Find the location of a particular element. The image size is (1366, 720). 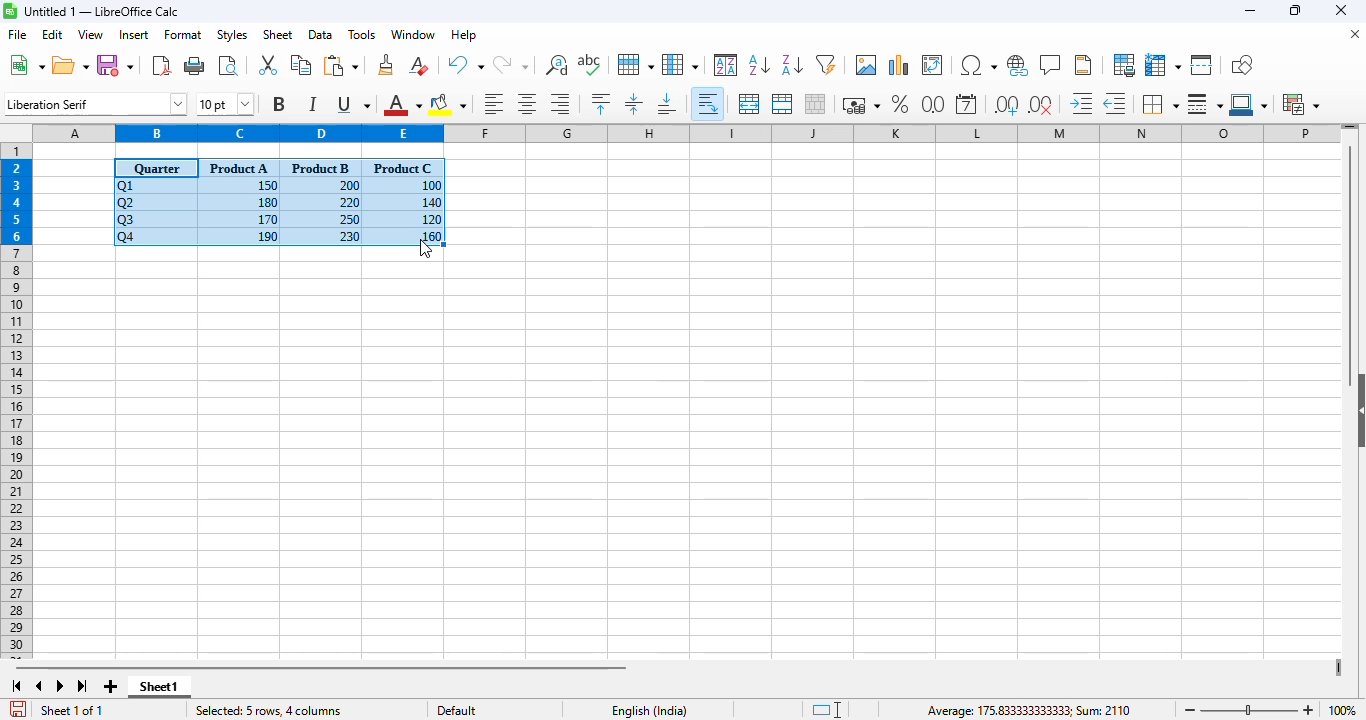

window is located at coordinates (413, 34).